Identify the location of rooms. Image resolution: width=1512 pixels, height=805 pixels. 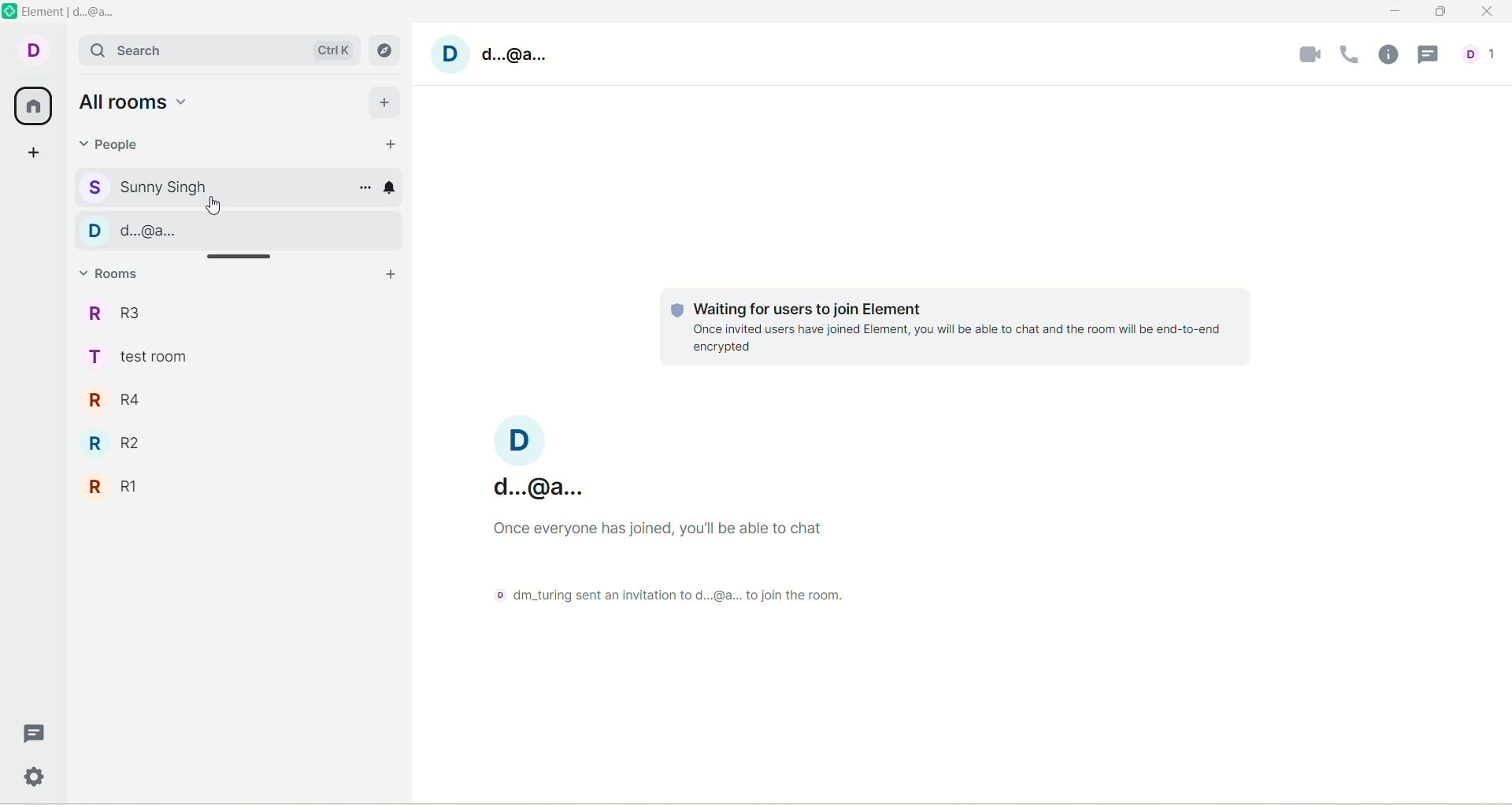
(114, 273).